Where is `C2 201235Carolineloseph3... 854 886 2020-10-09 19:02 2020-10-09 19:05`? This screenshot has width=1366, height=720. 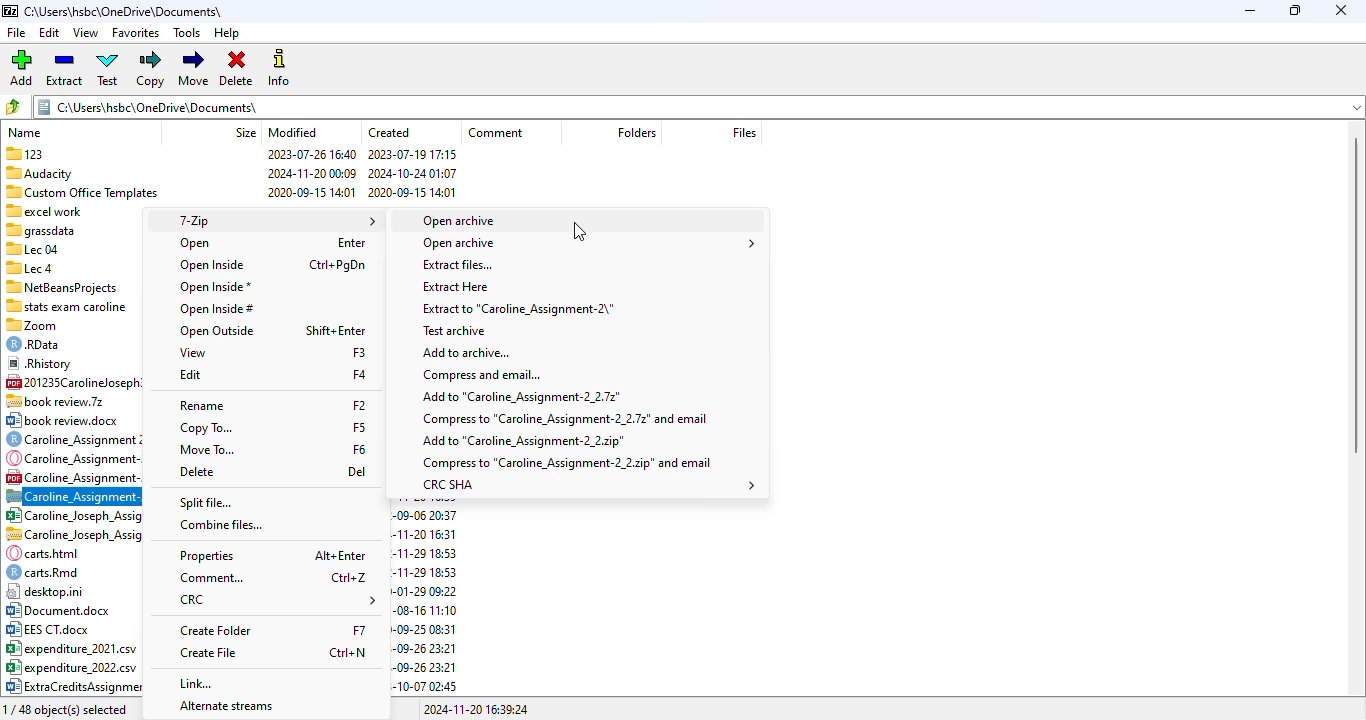
C2 201235Carolineloseph3... 854 886 2020-10-09 19:02 2020-10-09 19:05 is located at coordinates (72, 381).